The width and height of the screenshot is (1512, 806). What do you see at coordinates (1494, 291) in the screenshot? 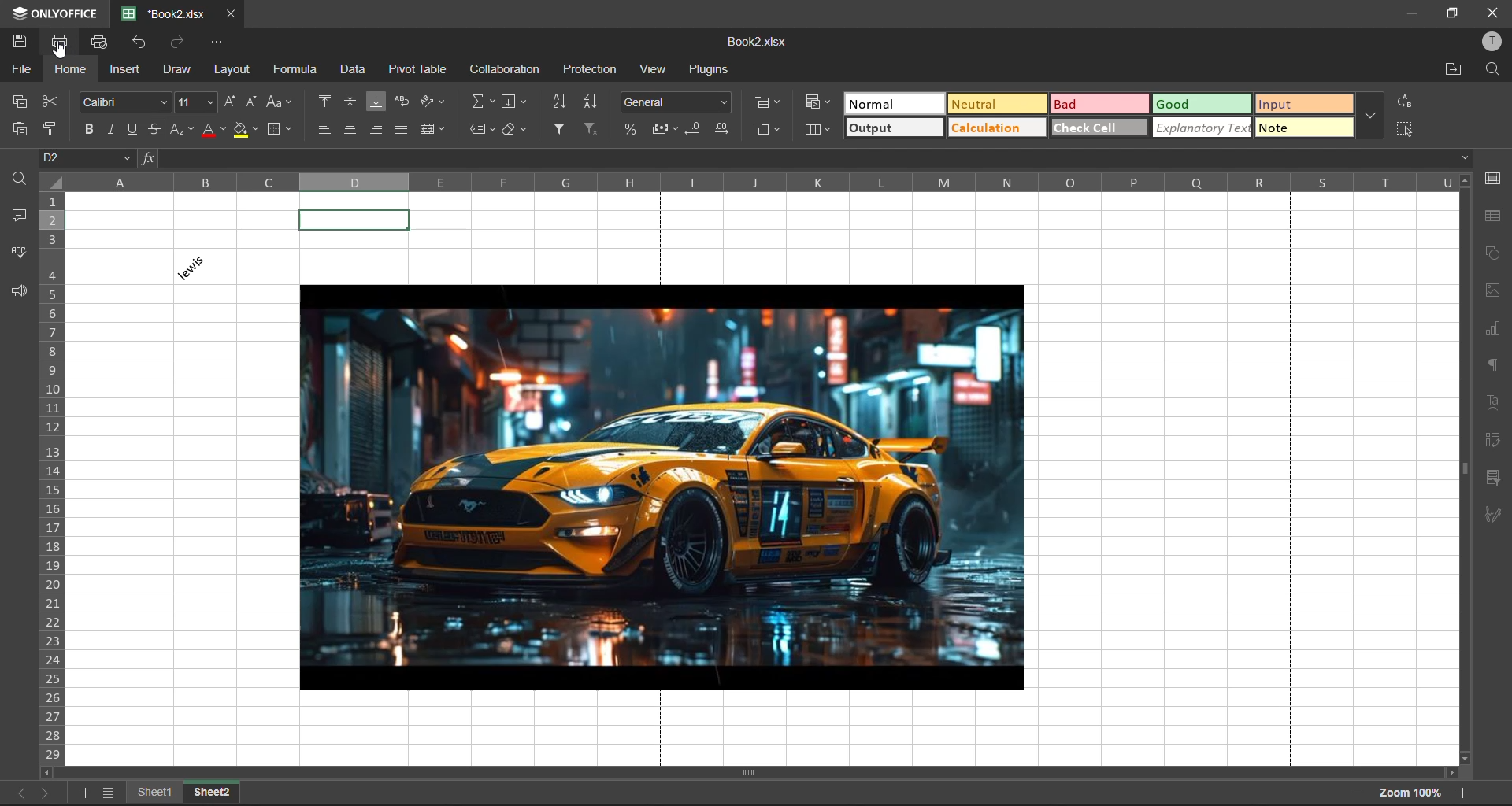
I see `images` at bounding box center [1494, 291].